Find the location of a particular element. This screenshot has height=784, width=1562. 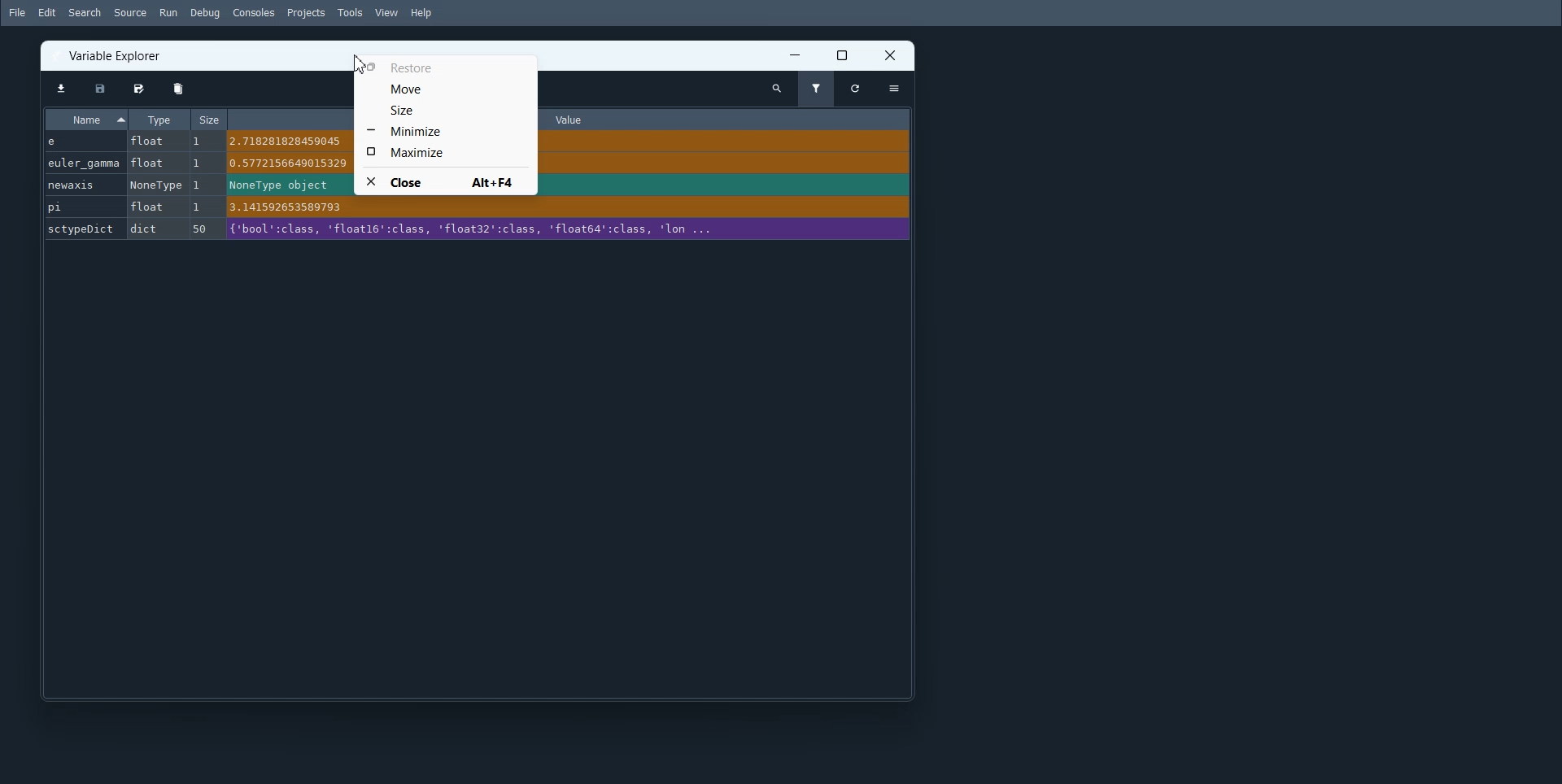

Minimize is located at coordinates (796, 54).